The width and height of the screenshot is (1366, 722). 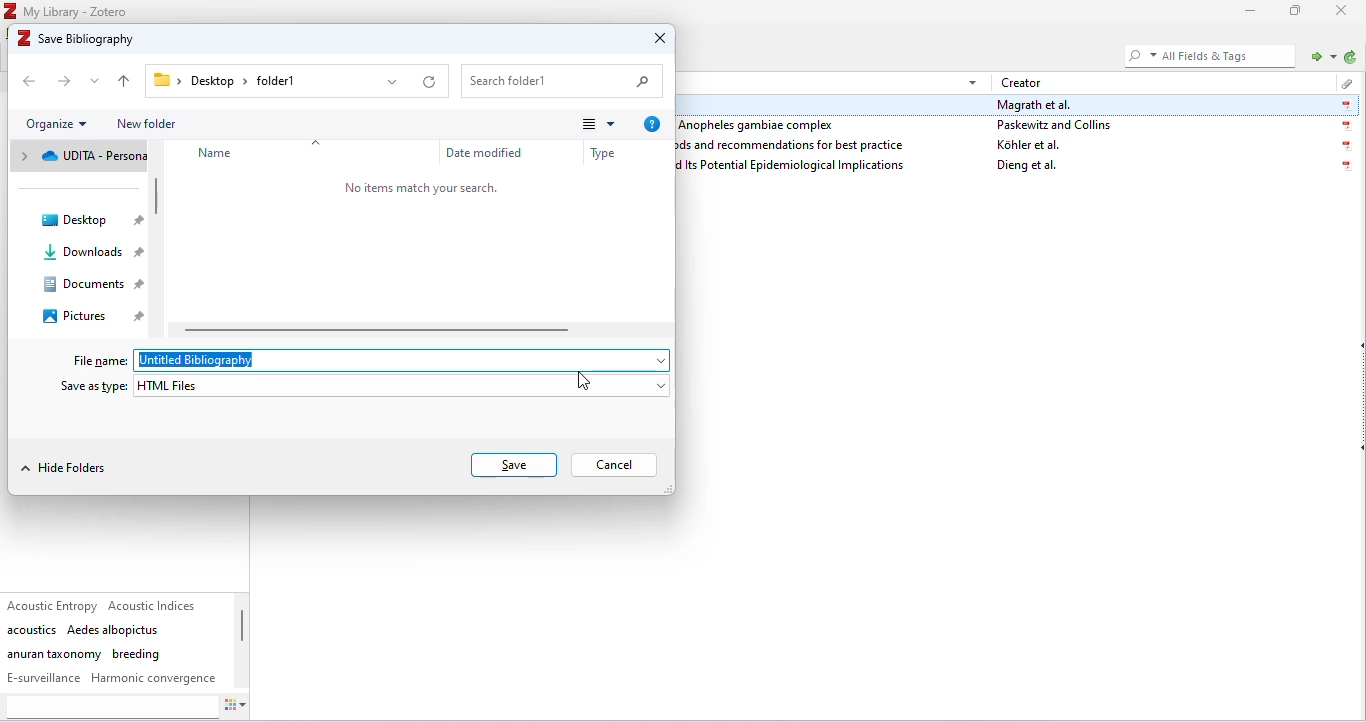 What do you see at coordinates (607, 151) in the screenshot?
I see `type` at bounding box center [607, 151].